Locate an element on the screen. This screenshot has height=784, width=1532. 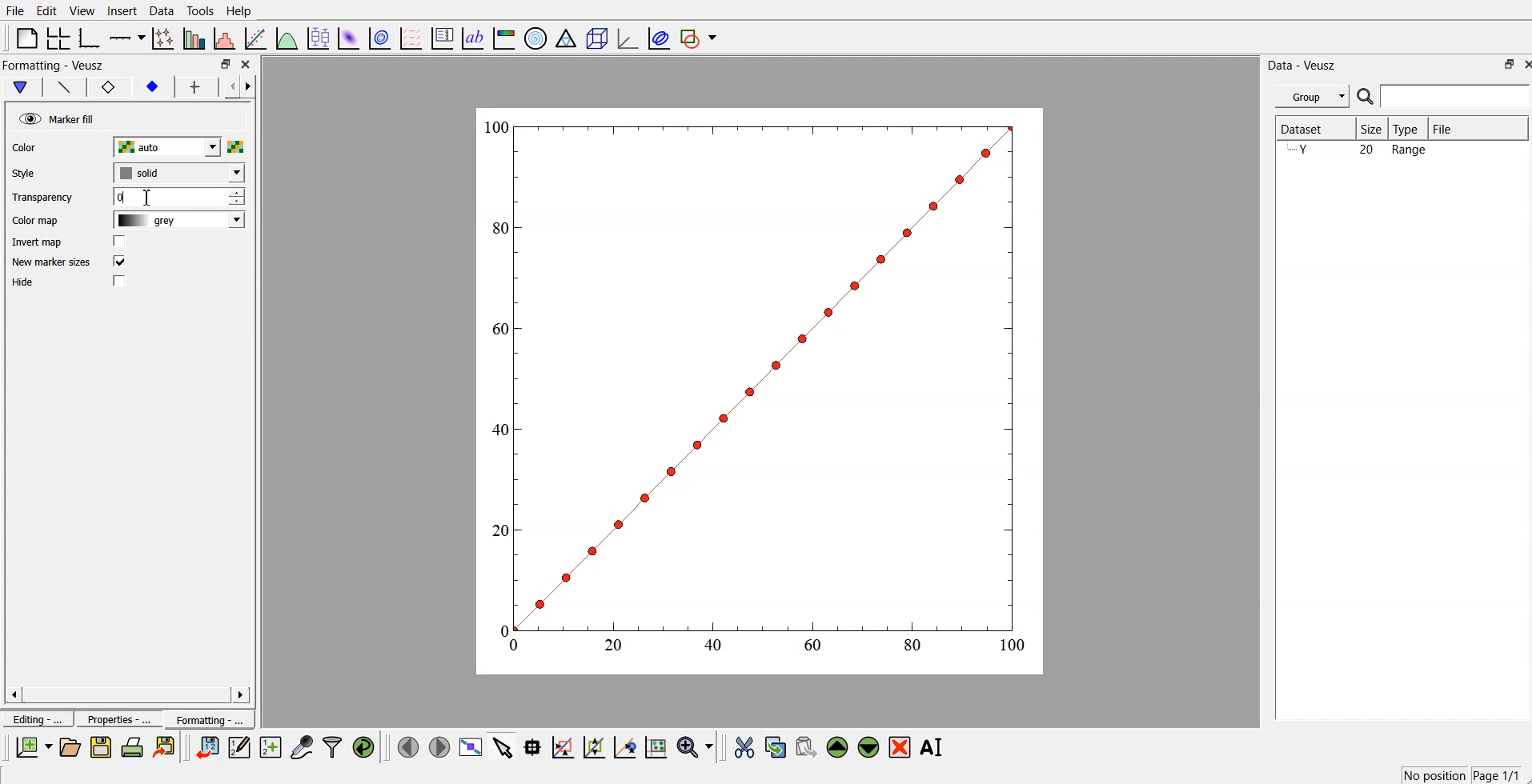
add a shape to the plot is located at coordinates (700, 38).